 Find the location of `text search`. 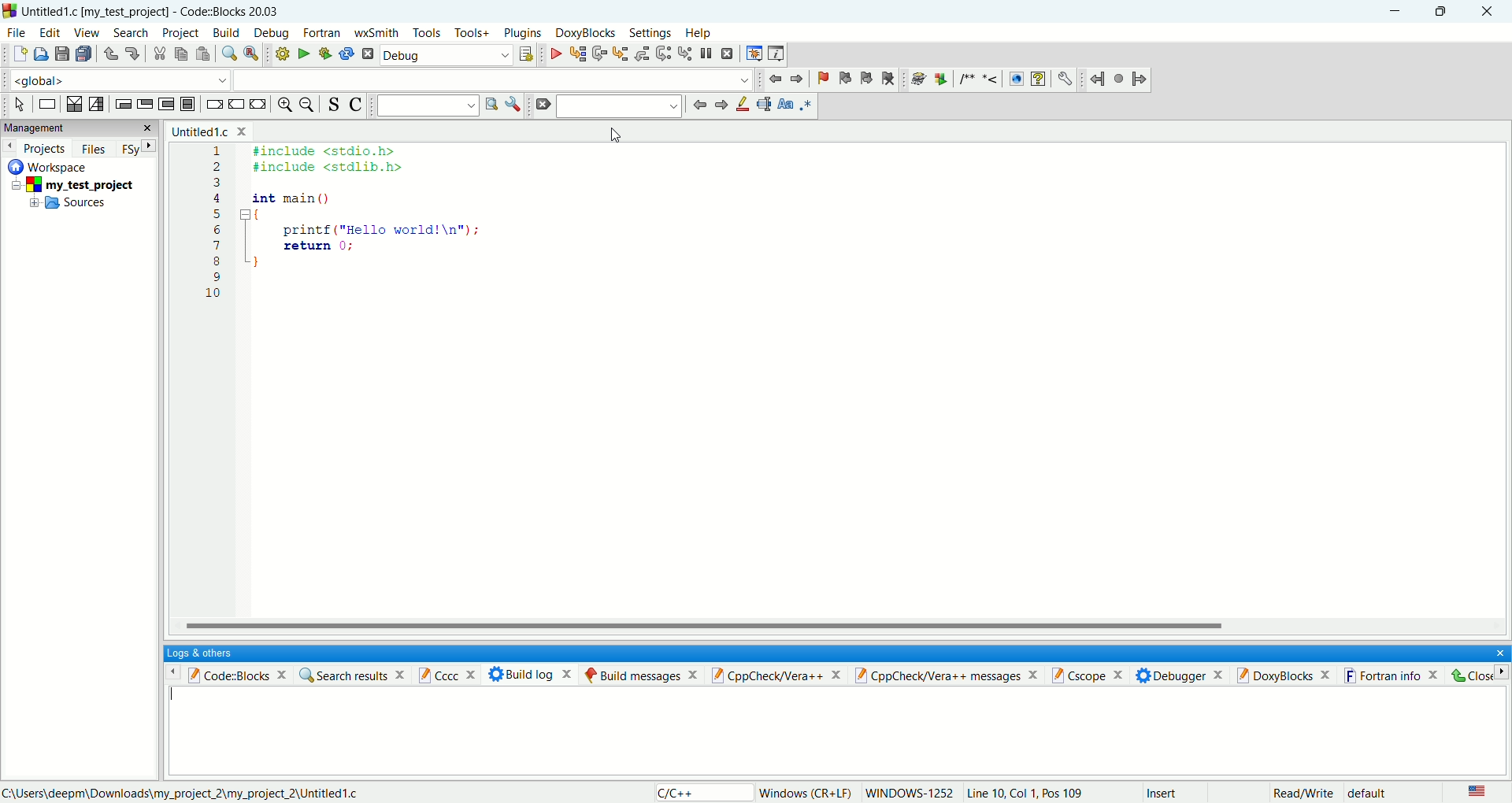

text search is located at coordinates (428, 105).